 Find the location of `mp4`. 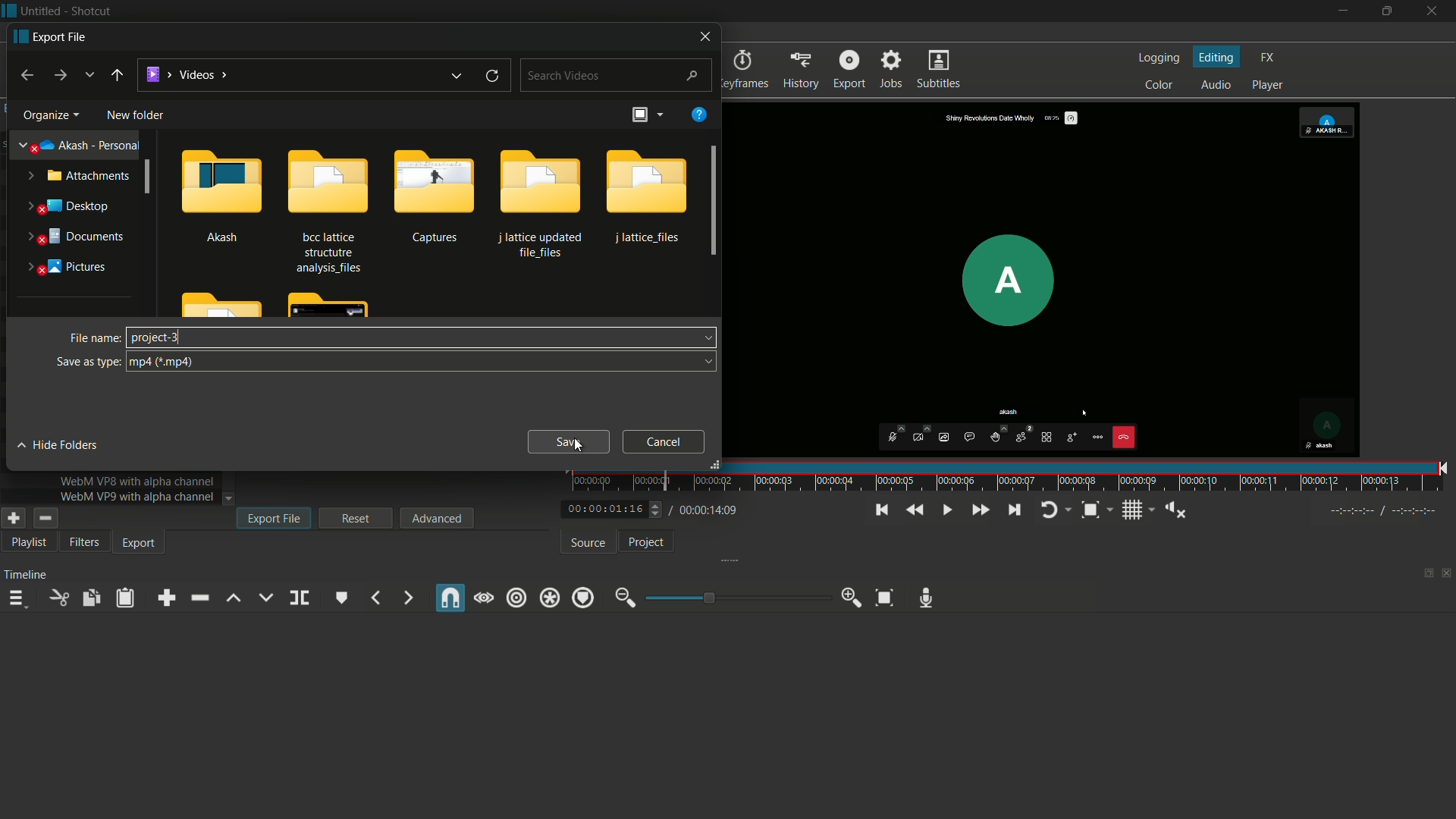

mp4 is located at coordinates (165, 362).